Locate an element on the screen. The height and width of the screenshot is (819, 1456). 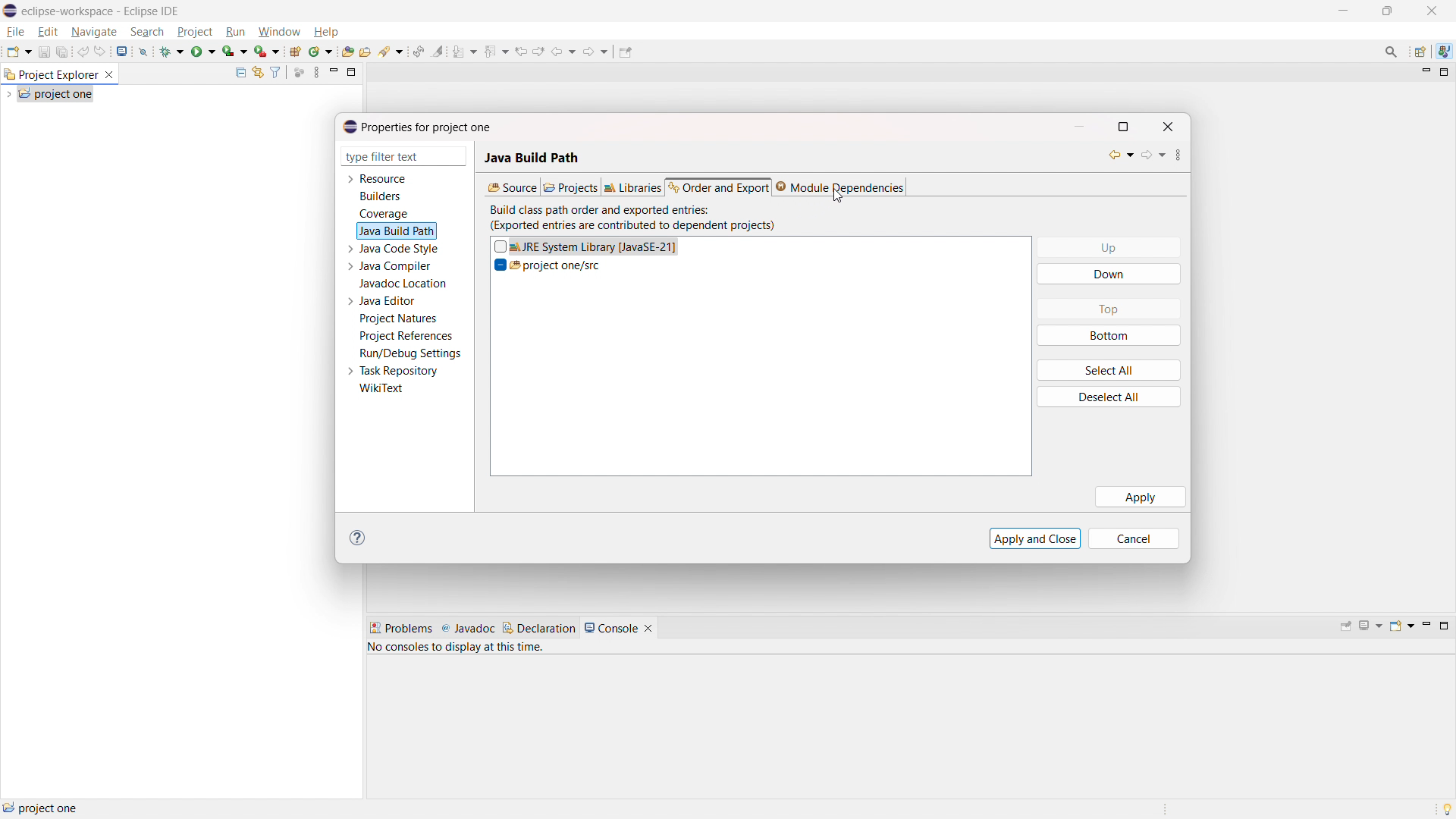
toggle ant editor auto reconcile is located at coordinates (418, 51).